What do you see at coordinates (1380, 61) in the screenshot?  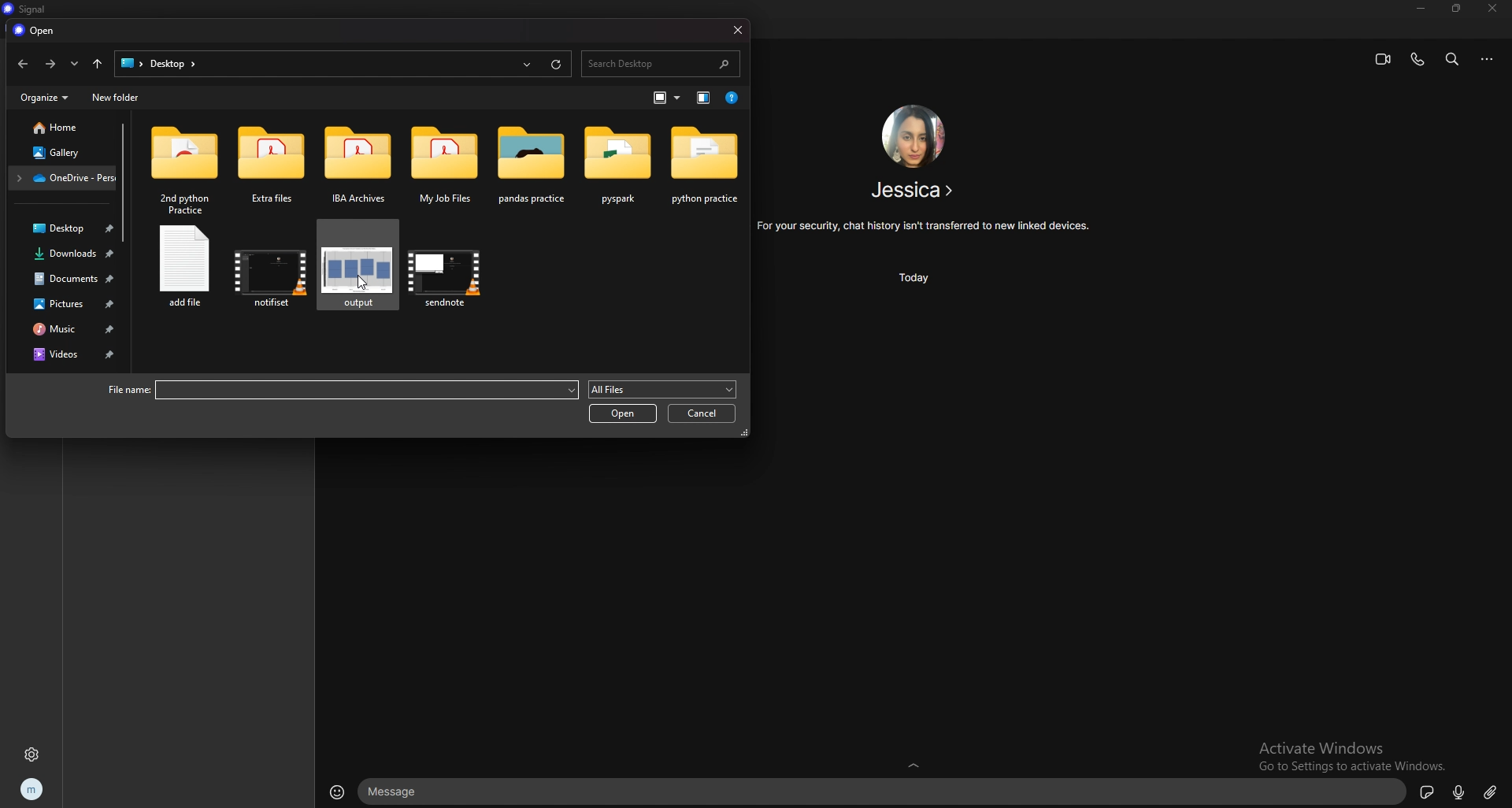 I see `video call` at bounding box center [1380, 61].